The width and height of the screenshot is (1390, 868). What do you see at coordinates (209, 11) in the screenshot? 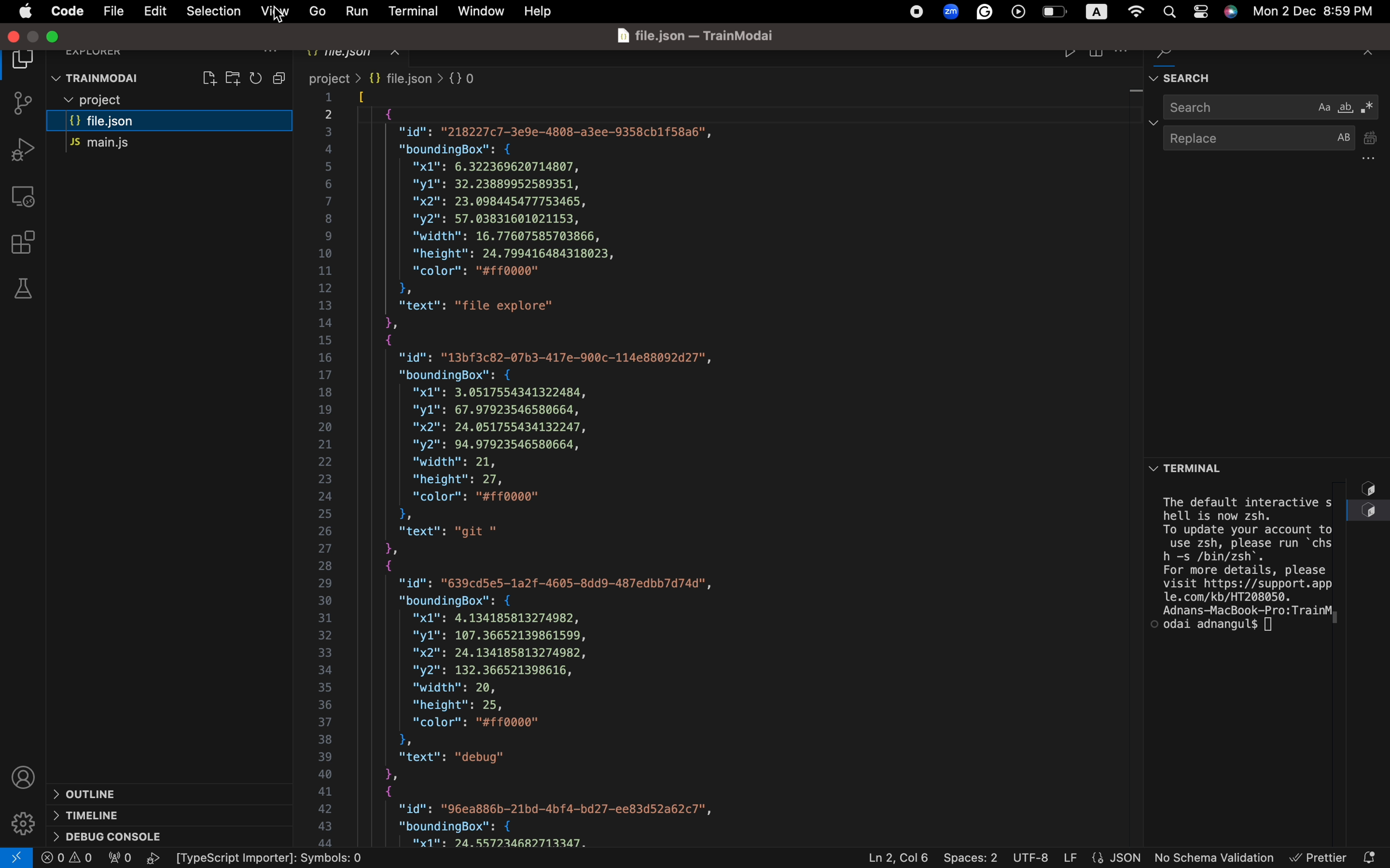
I see `selection` at bounding box center [209, 11].